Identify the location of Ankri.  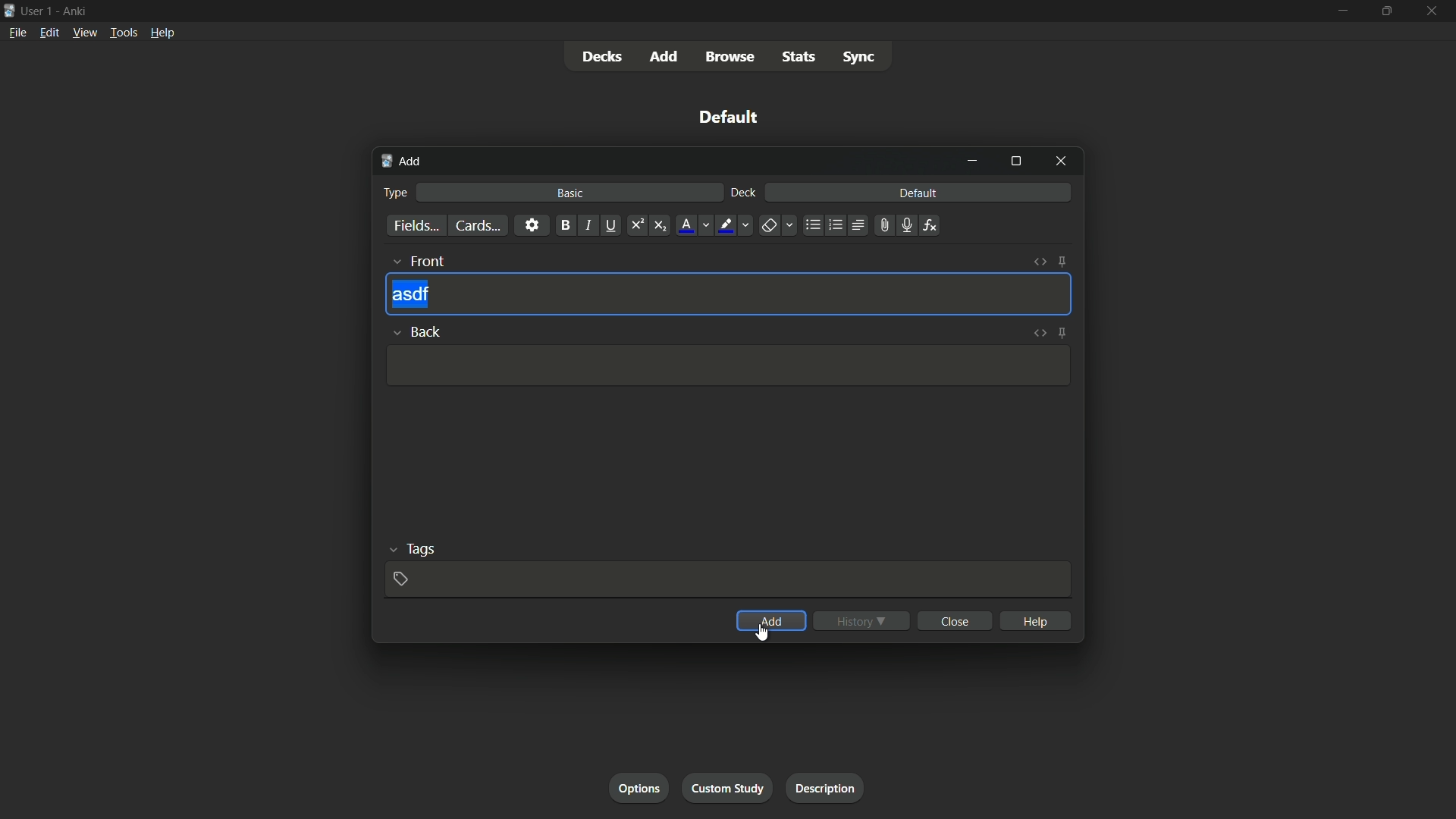
(72, 10).